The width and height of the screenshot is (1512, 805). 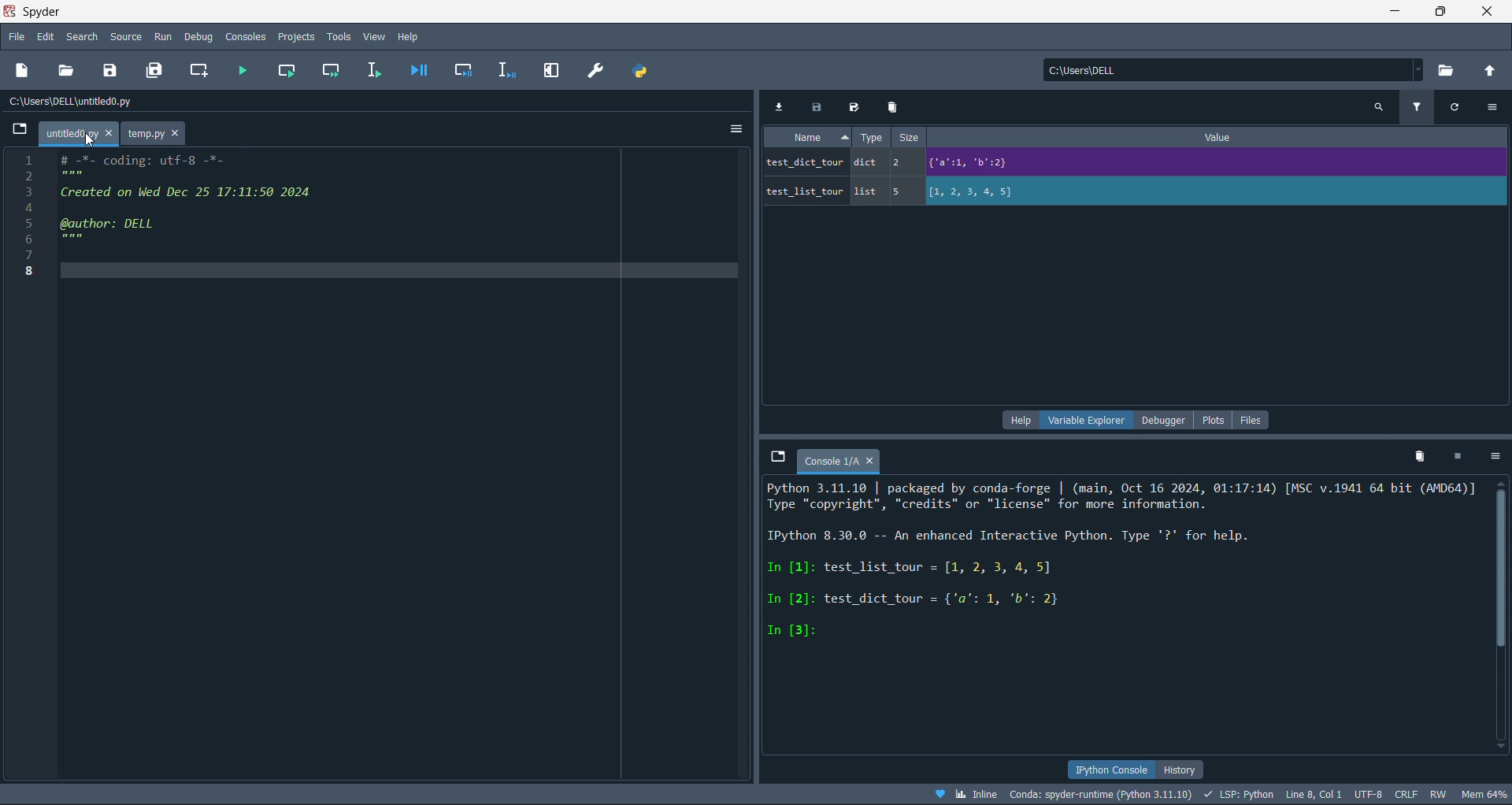 I want to click on path manager, so click(x=645, y=70).